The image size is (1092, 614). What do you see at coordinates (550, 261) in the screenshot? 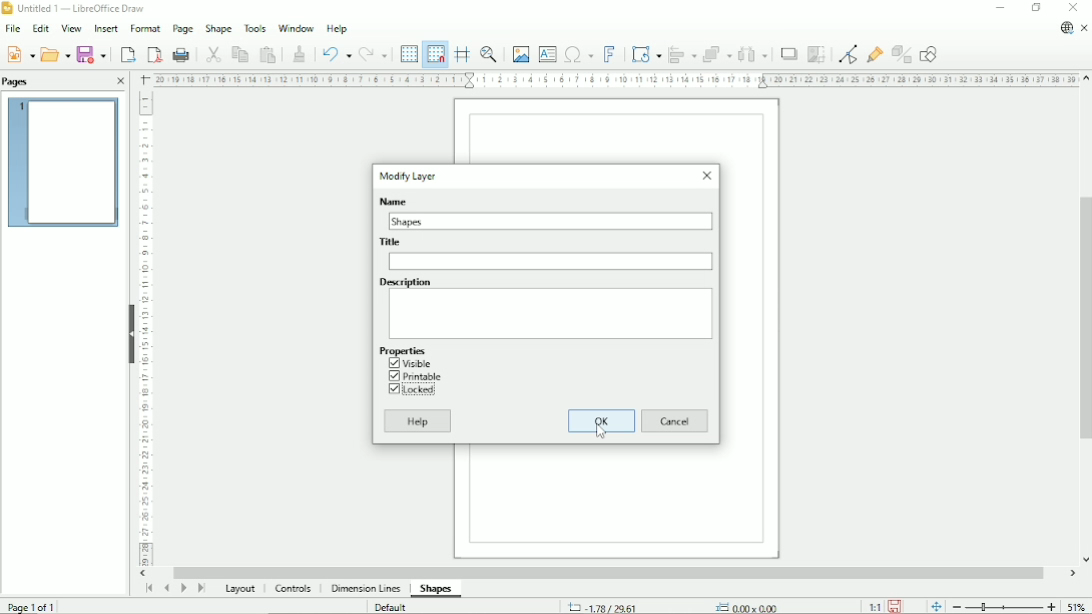
I see `Title` at bounding box center [550, 261].